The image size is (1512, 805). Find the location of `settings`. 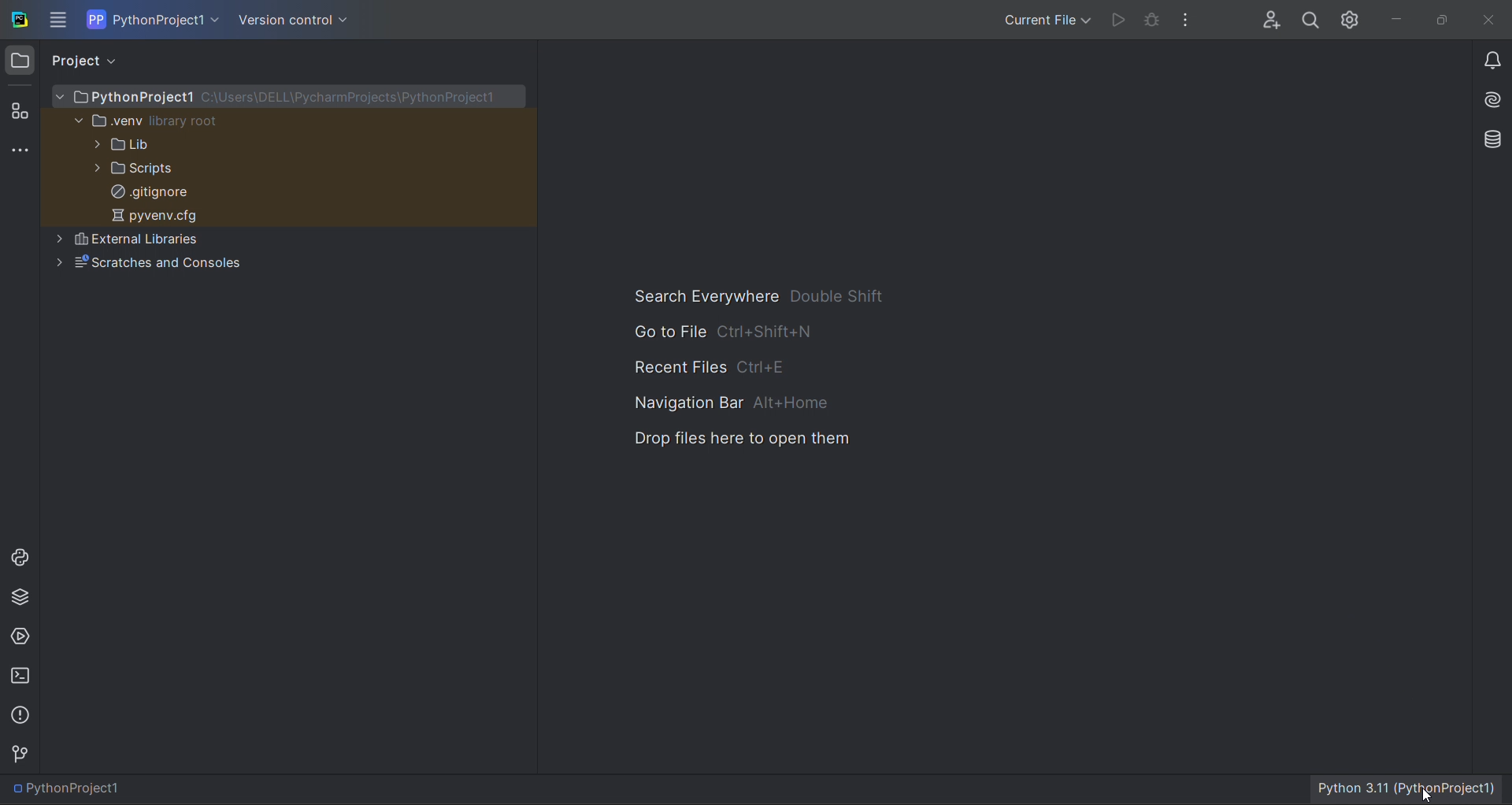

settings is located at coordinates (1352, 17).